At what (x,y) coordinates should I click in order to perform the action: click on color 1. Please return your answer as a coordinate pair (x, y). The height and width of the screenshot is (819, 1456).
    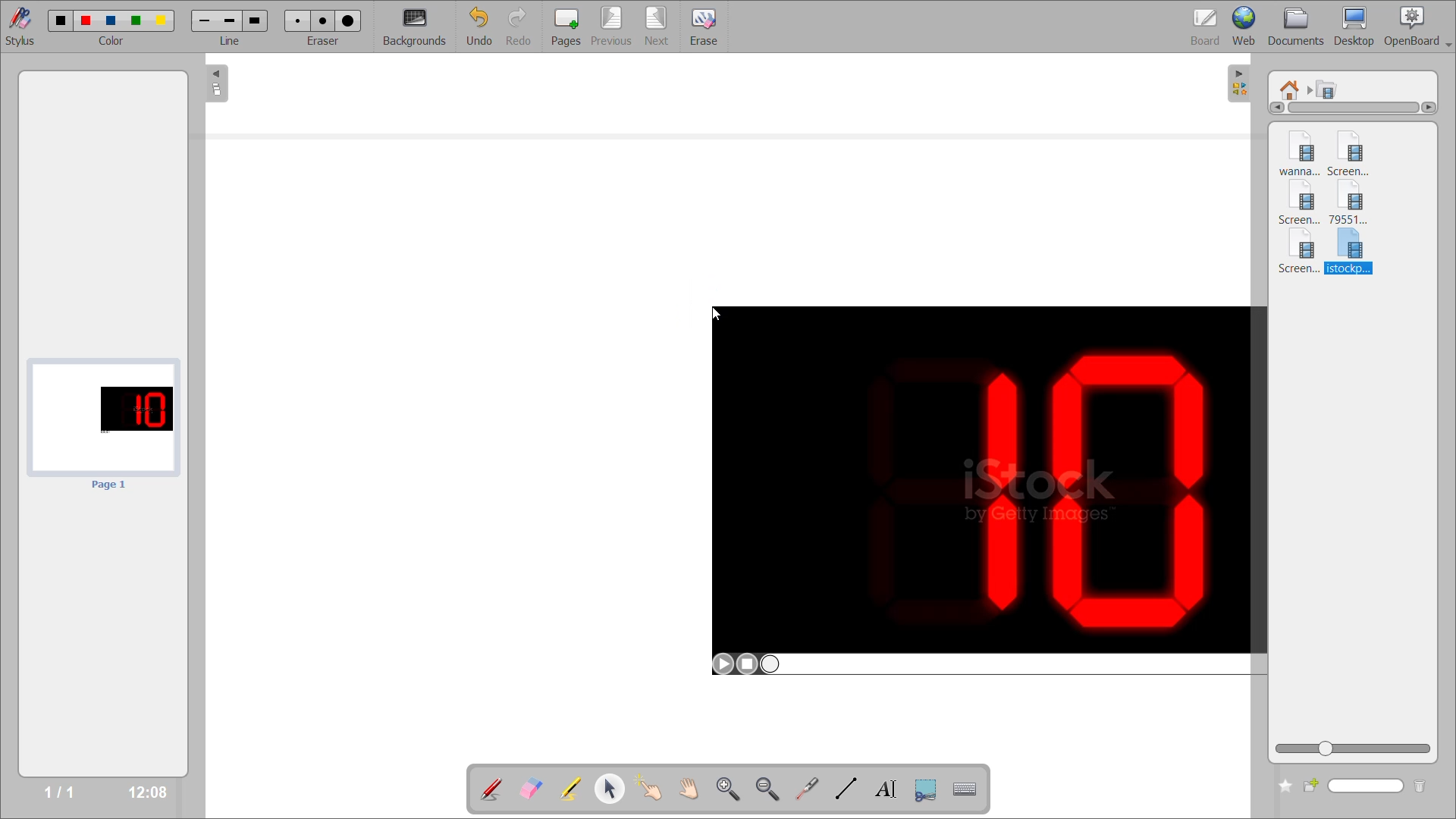
    Looking at the image, I should click on (60, 21).